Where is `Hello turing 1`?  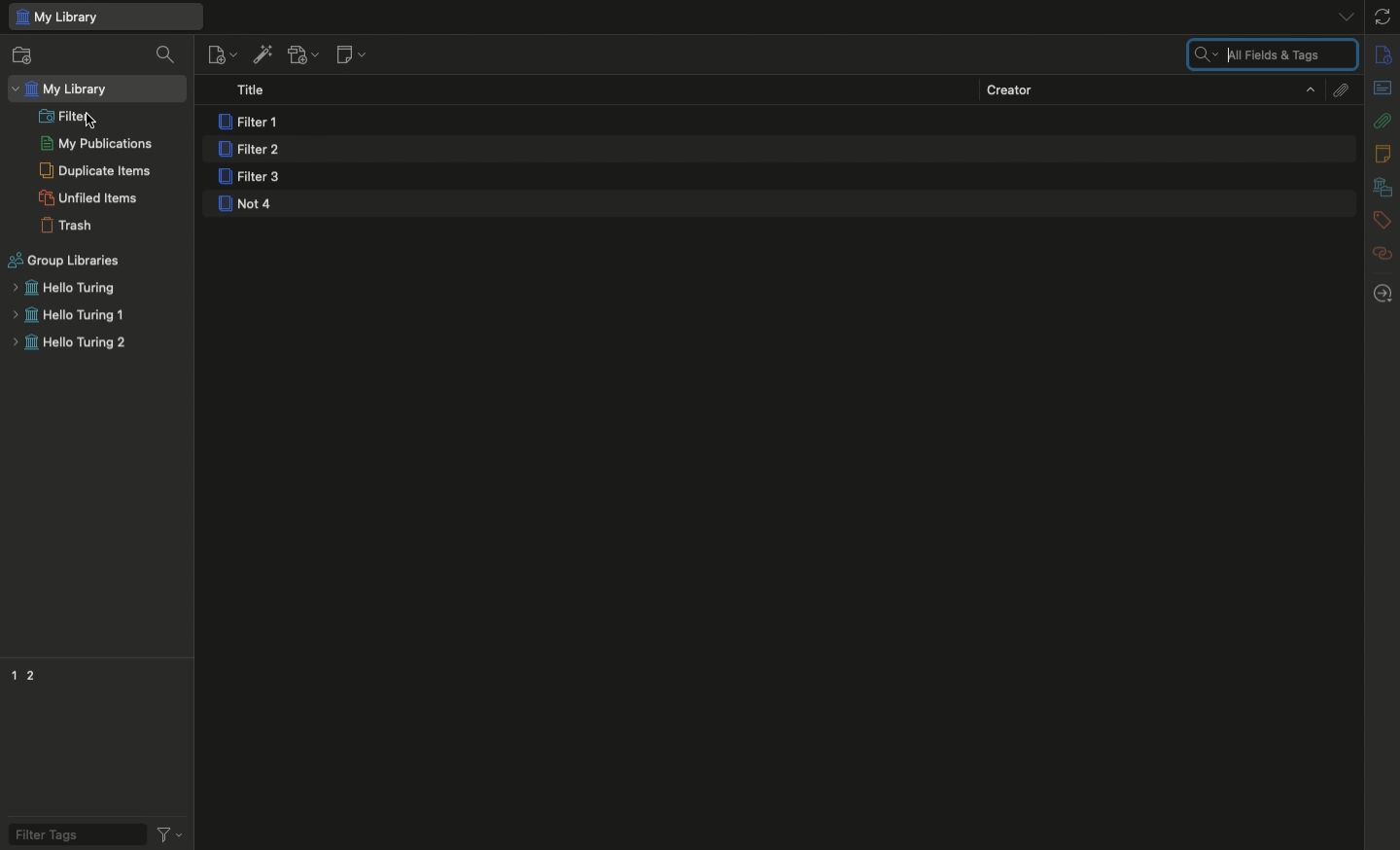
Hello turing 1 is located at coordinates (68, 316).